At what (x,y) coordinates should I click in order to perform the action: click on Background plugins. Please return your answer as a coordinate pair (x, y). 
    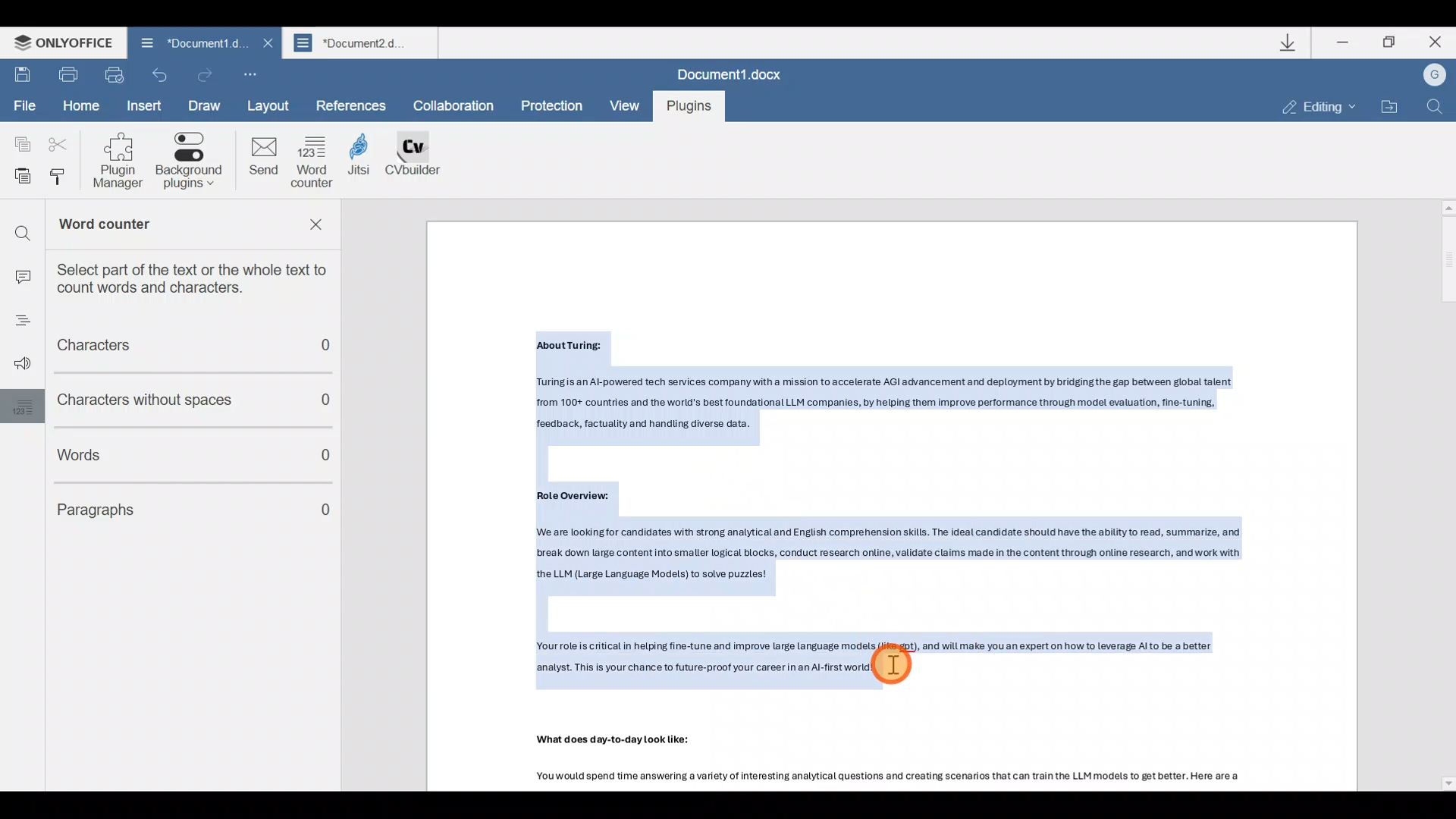
    Looking at the image, I should click on (192, 162).